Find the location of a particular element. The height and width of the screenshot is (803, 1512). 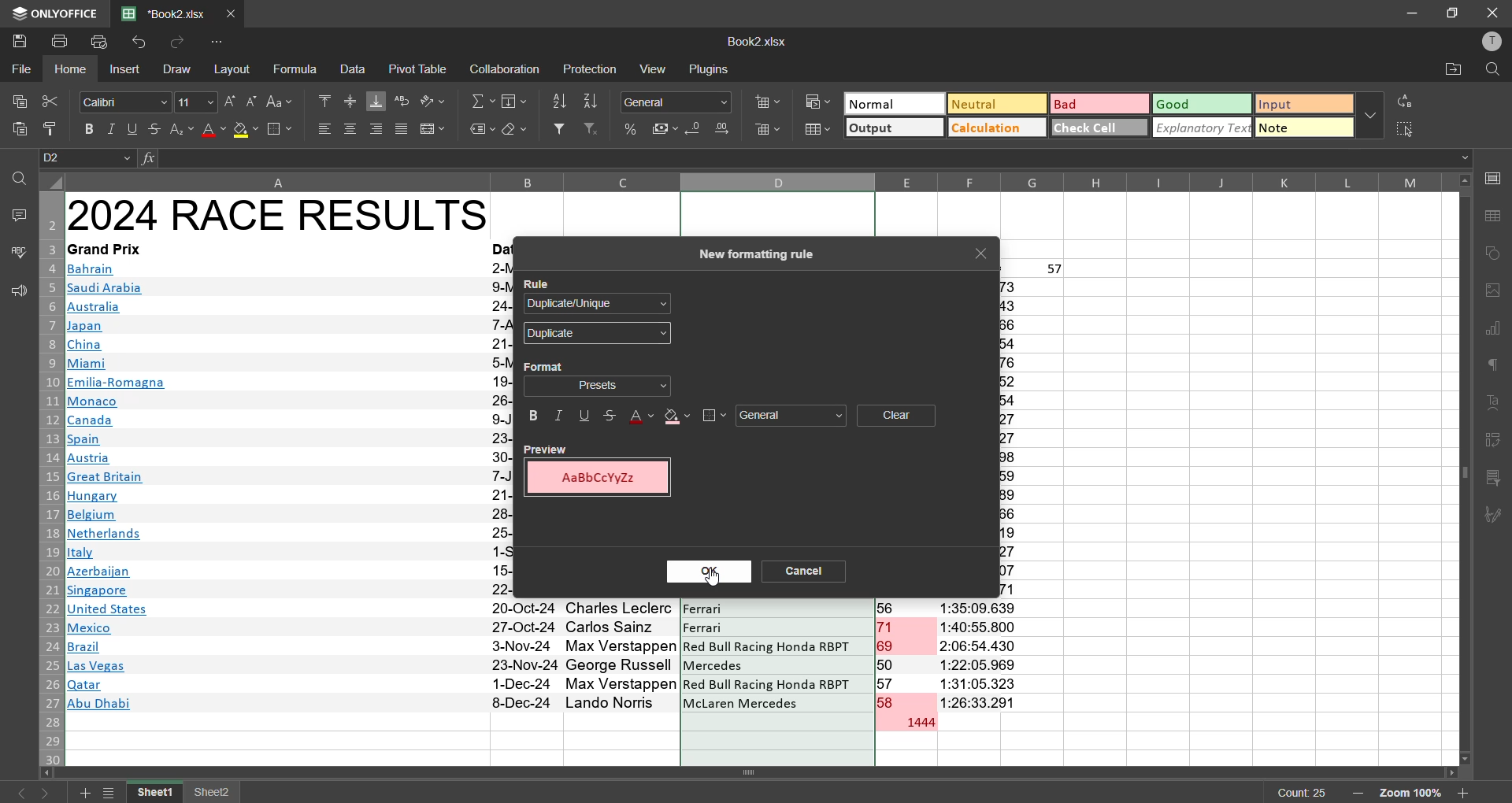

copy is located at coordinates (16, 98).